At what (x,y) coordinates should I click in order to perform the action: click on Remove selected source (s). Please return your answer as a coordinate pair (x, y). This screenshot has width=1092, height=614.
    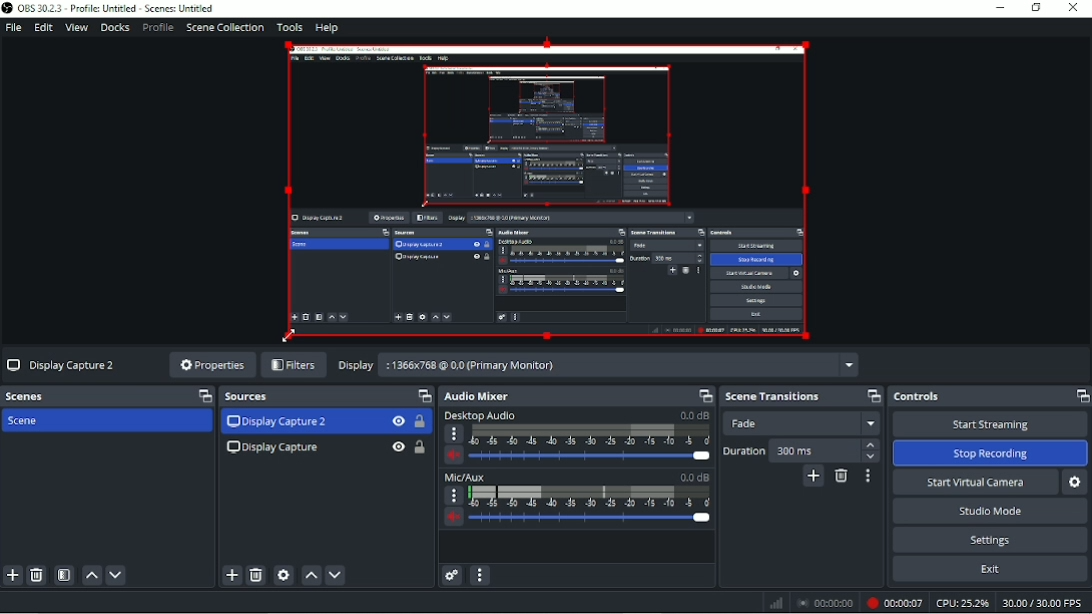
    Looking at the image, I should click on (256, 576).